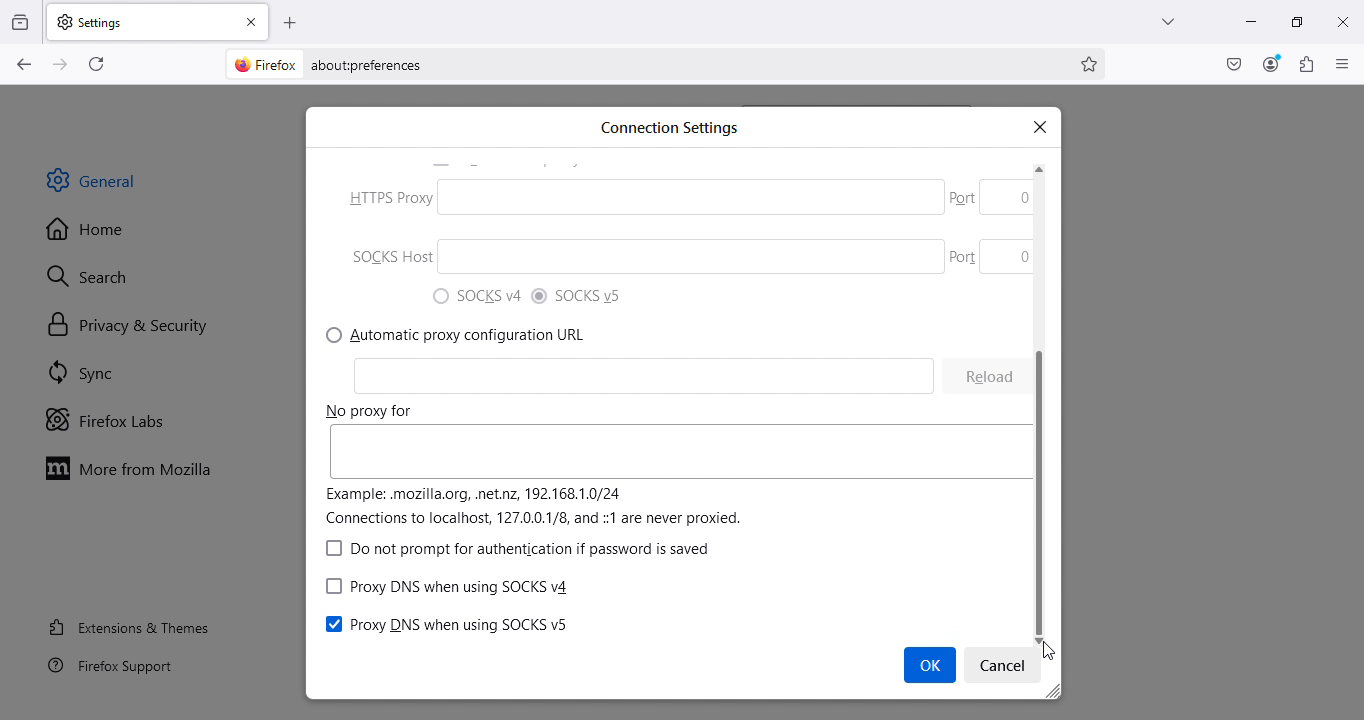 The width and height of the screenshot is (1364, 720). I want to click on Move to Mozilla, so click(134, 467).